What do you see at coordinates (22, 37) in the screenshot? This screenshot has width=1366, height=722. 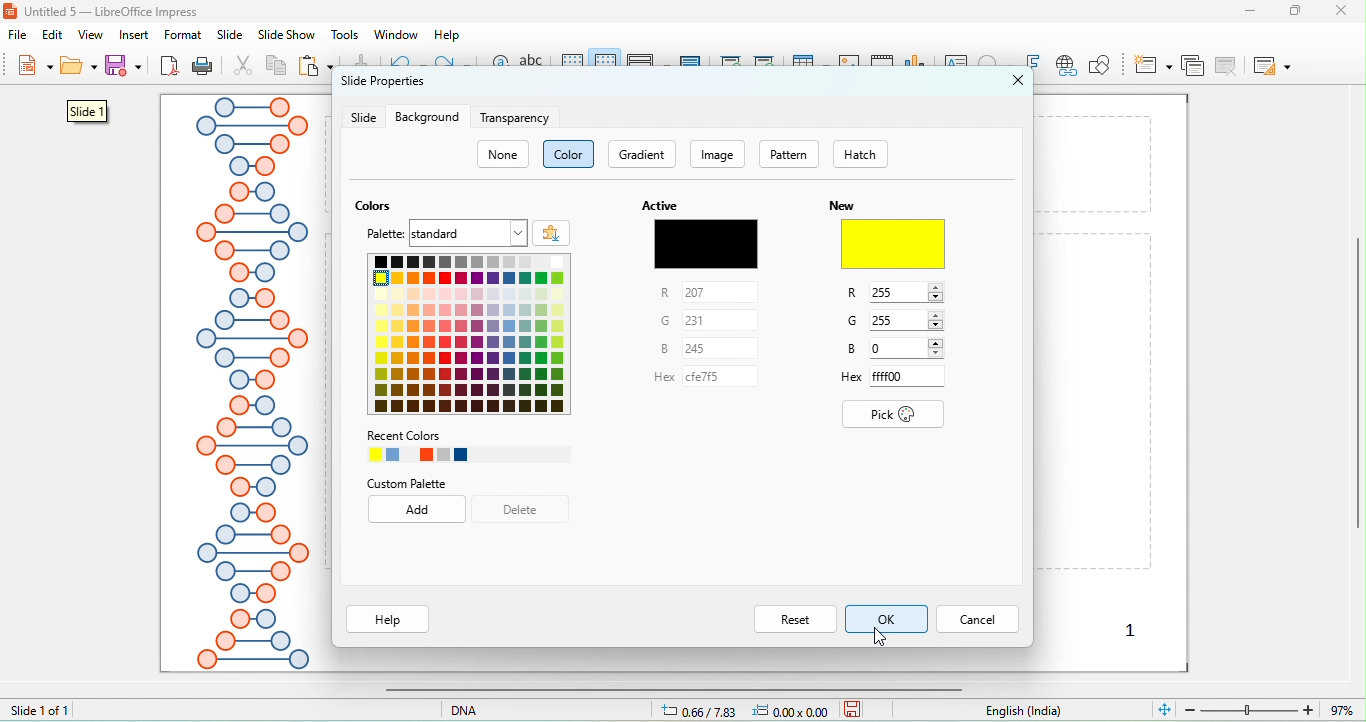 I see `file` at bounding box center [22, 37].